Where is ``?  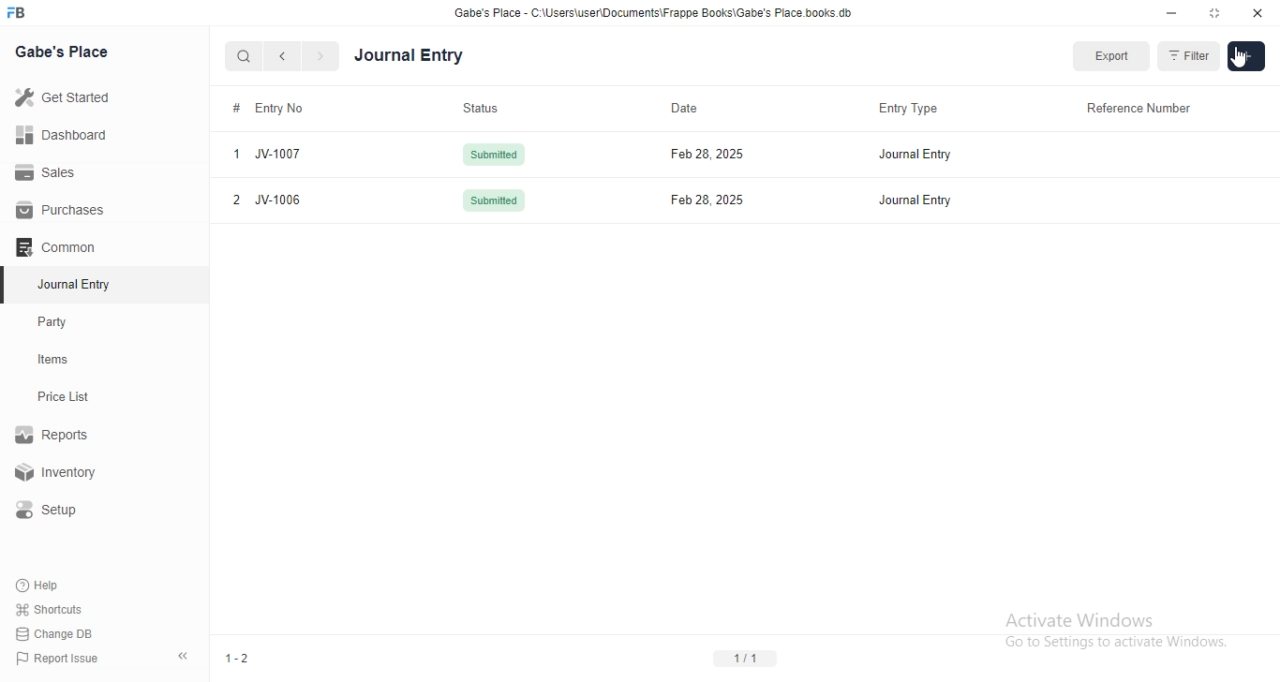
 is located at coordinates (685, 106).